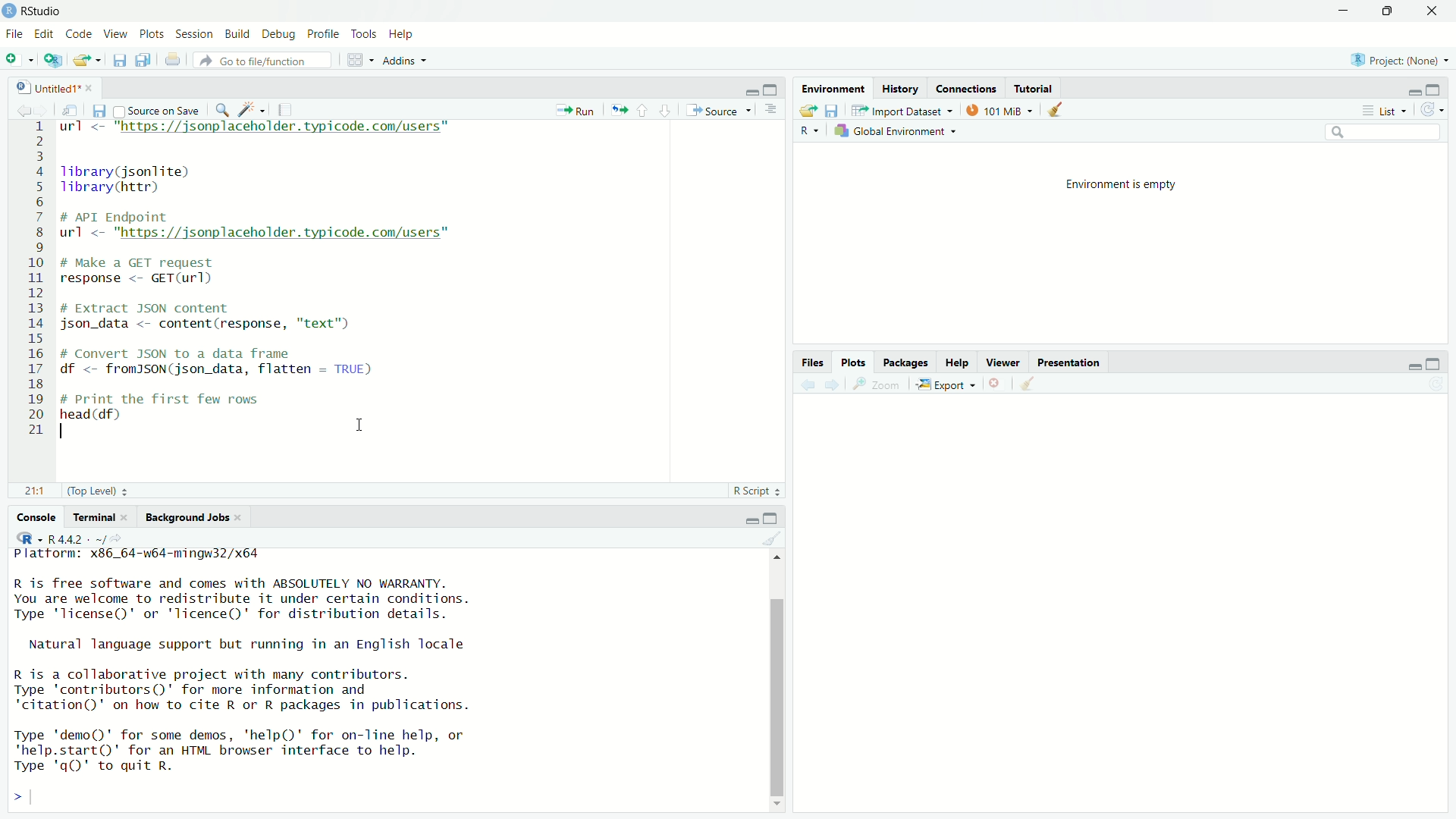 This screenshot has height=819, width=1456. I want to click on Tools, so click(365, 35).